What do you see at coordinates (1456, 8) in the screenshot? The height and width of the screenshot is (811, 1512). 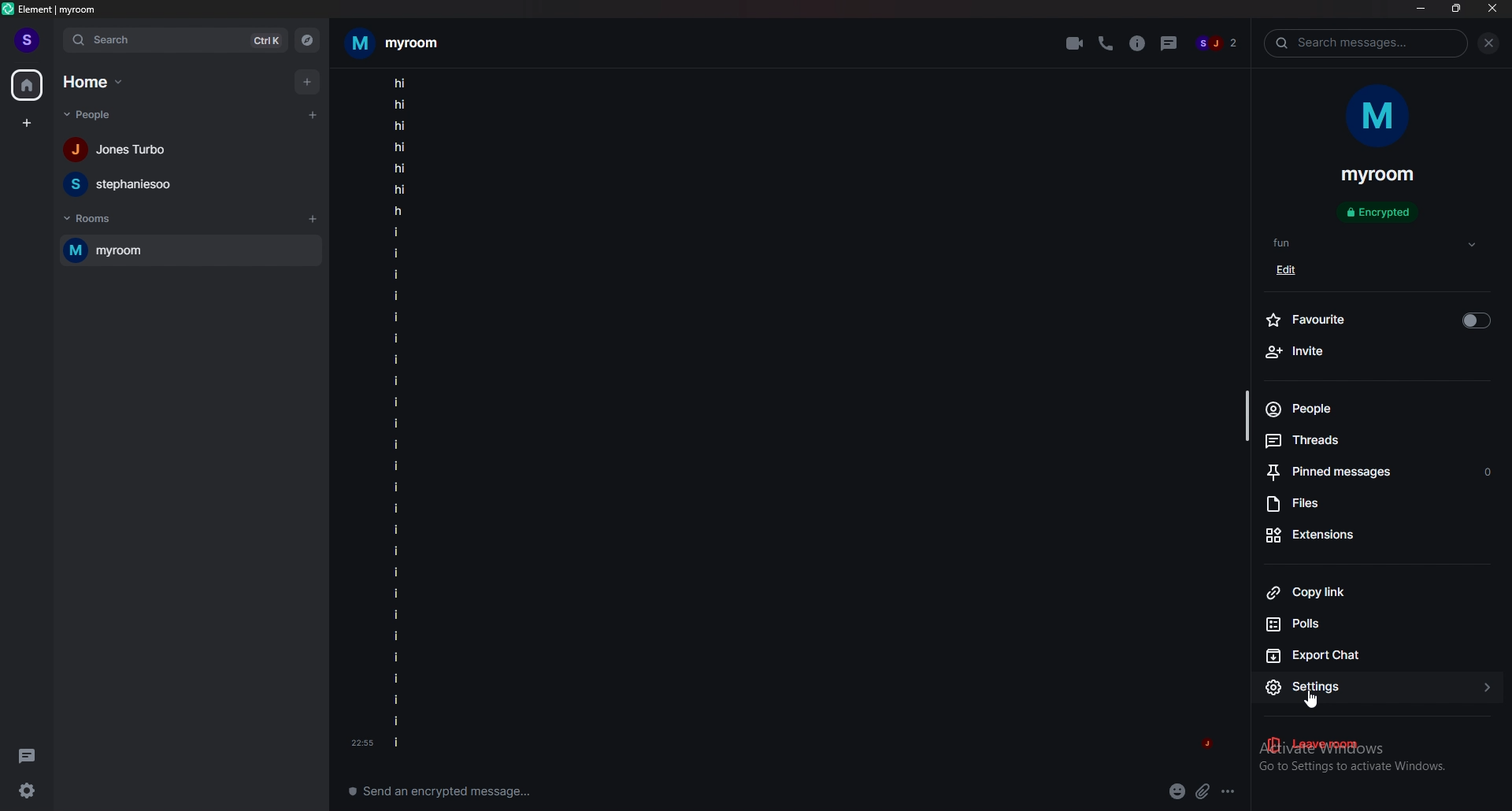 I see `resize` at bounding box center [1456, 8].